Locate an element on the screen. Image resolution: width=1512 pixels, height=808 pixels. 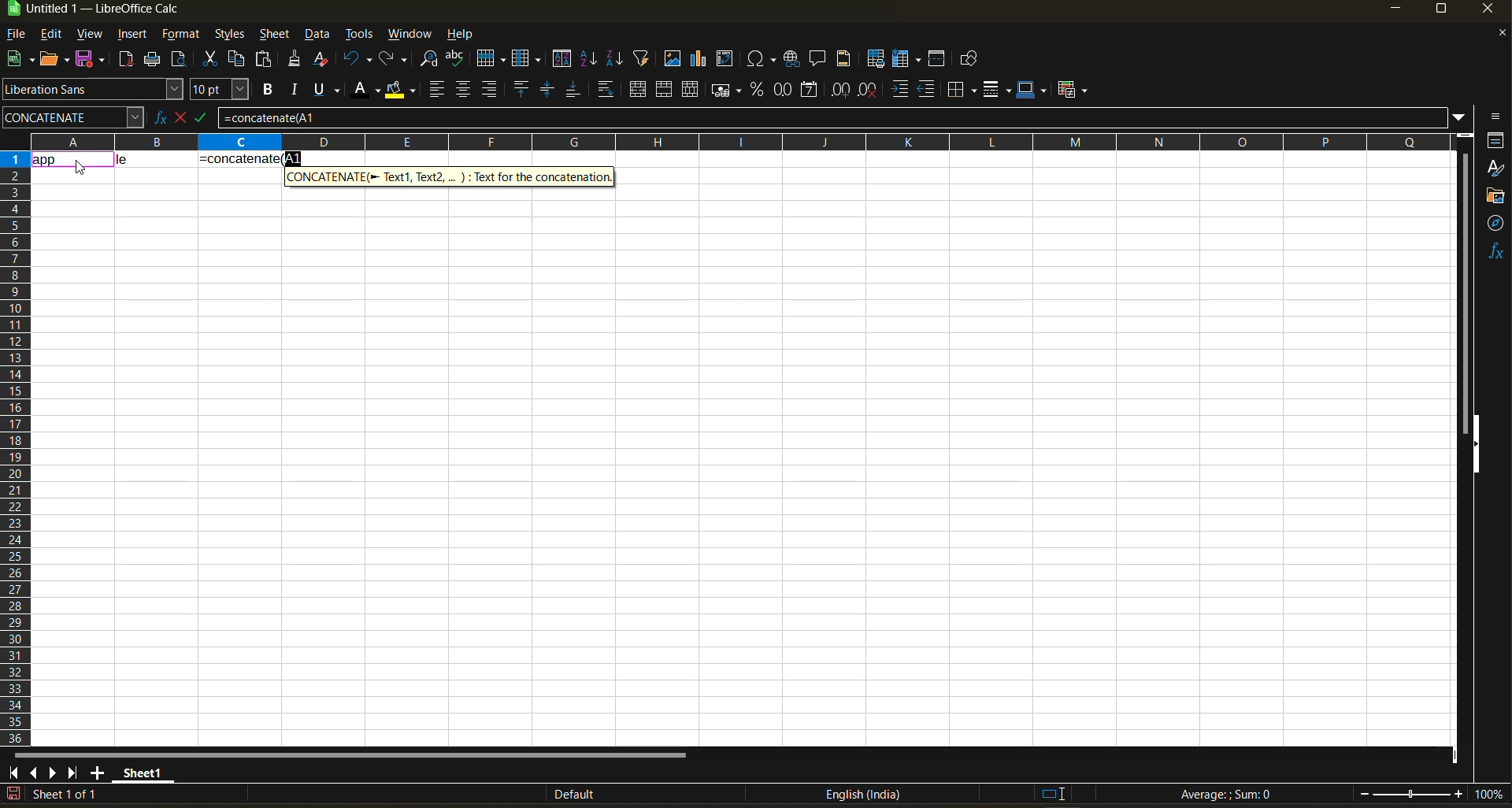
autofilter is located at coordinates (642, 57).